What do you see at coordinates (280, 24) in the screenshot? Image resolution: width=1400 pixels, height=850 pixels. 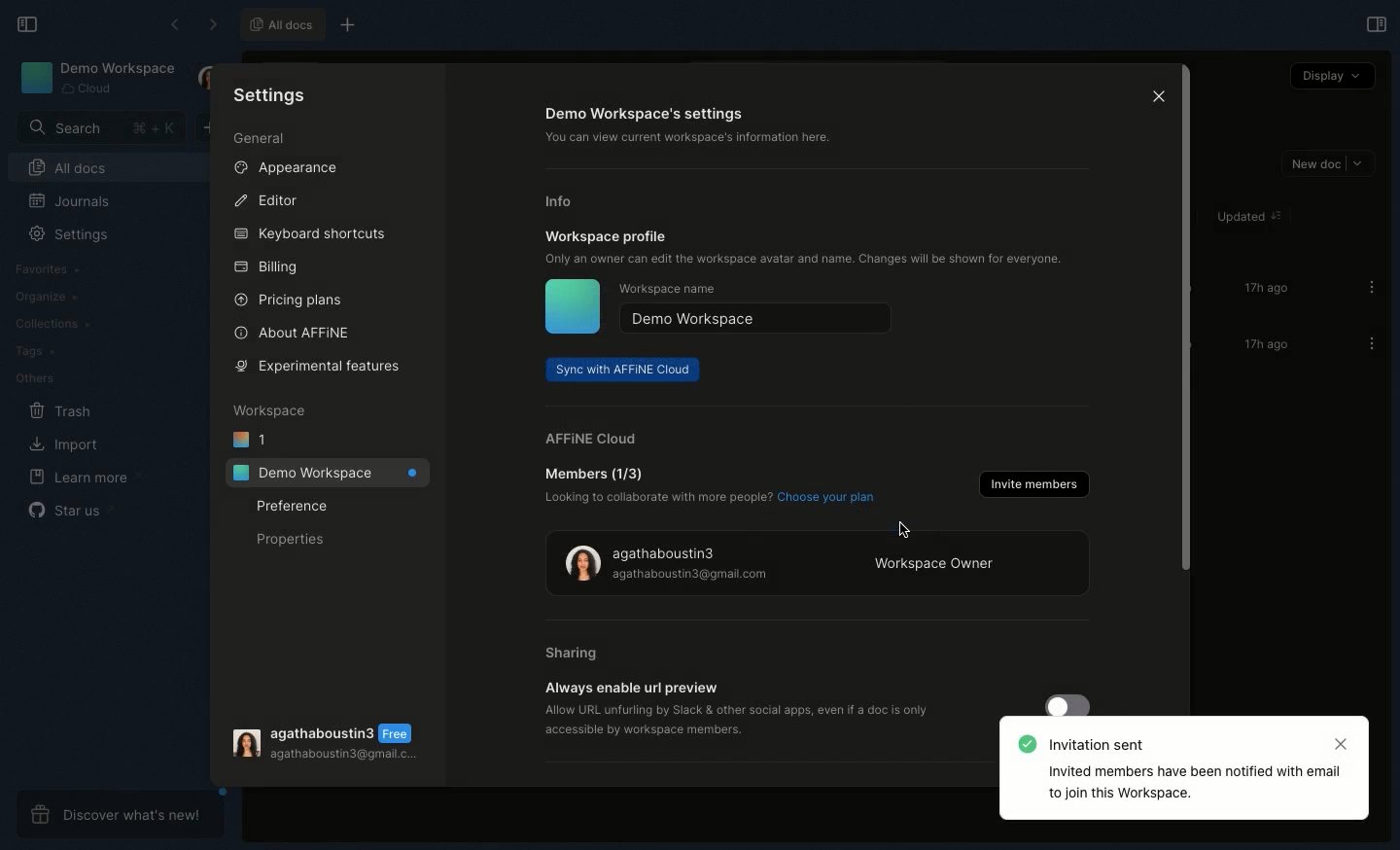 I see `All docs` at bounding box center [280, 24].